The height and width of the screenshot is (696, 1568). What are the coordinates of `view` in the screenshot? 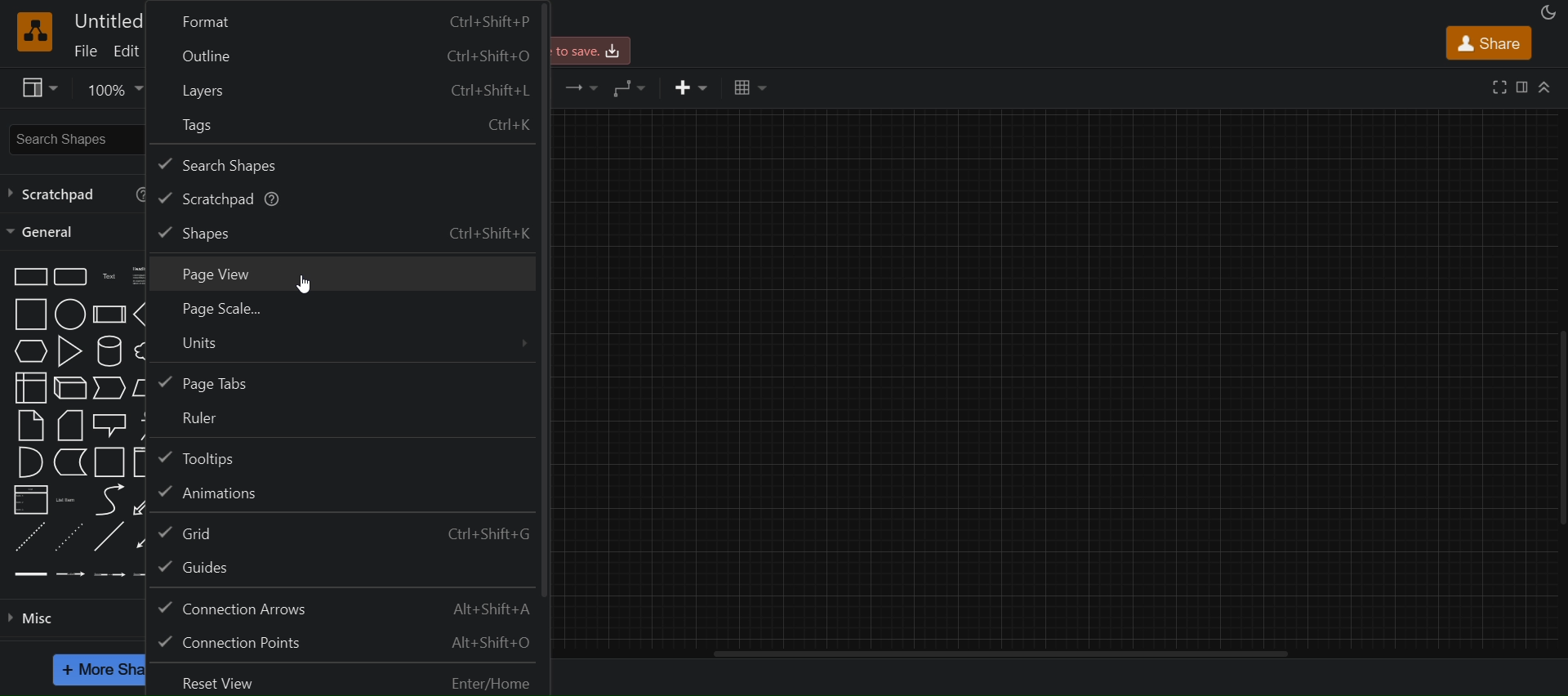 It's located at (38, 87).